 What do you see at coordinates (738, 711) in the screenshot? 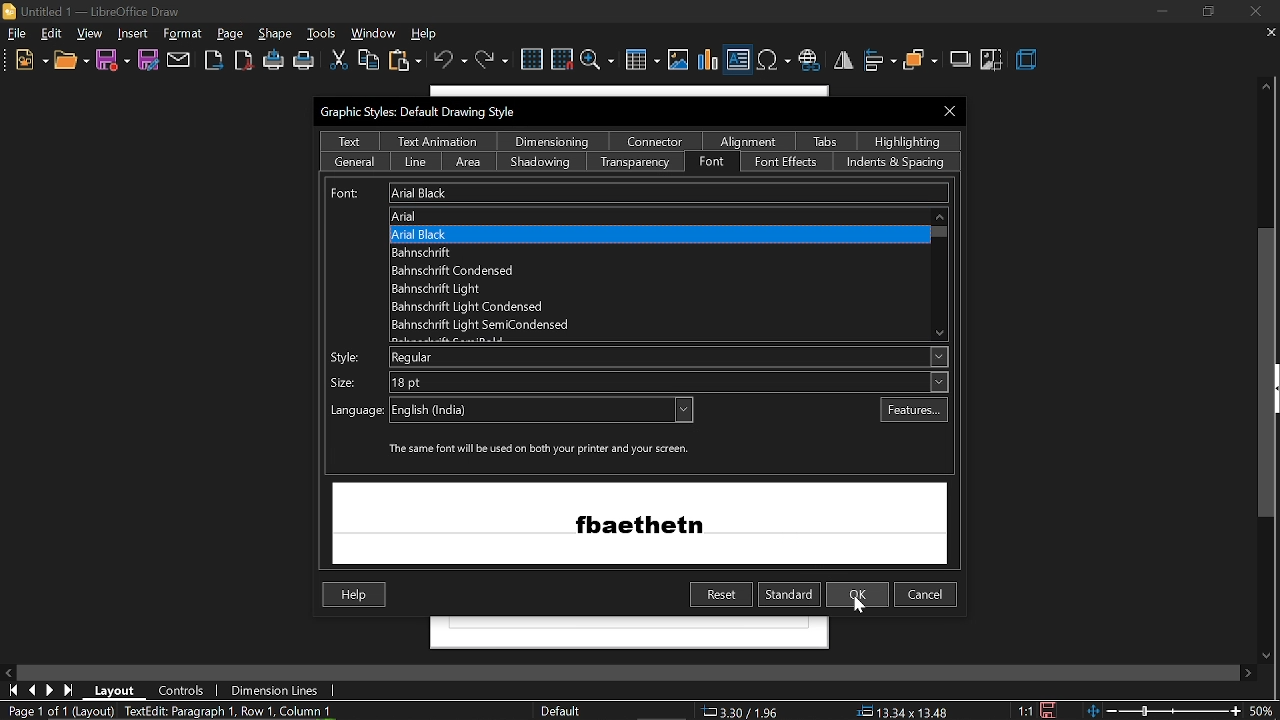
I see `co-ordinates (3.30/1.96)` at bounding box center [738, 711].